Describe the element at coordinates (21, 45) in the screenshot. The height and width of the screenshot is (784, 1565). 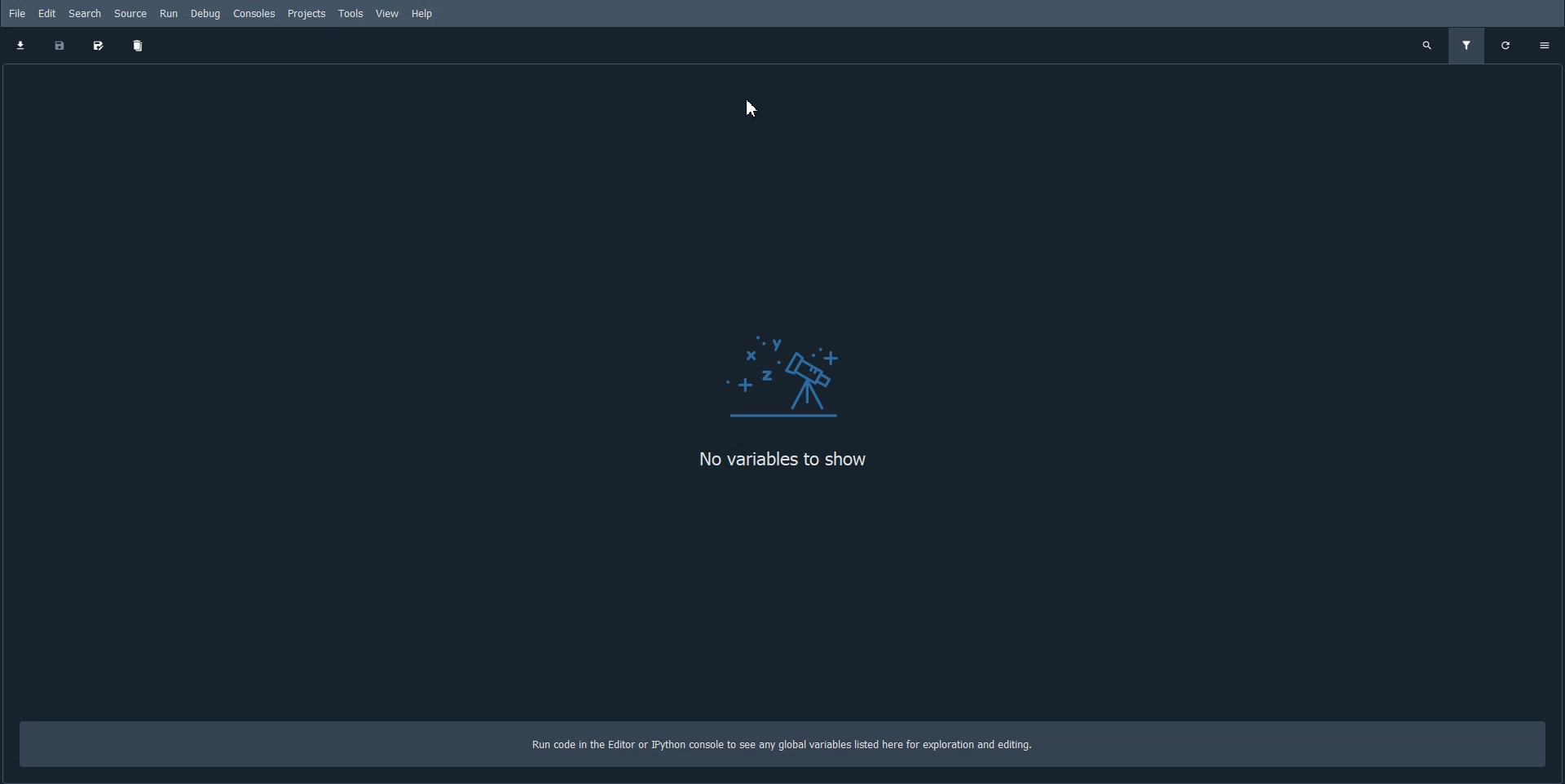
I see `Import data` at that location.